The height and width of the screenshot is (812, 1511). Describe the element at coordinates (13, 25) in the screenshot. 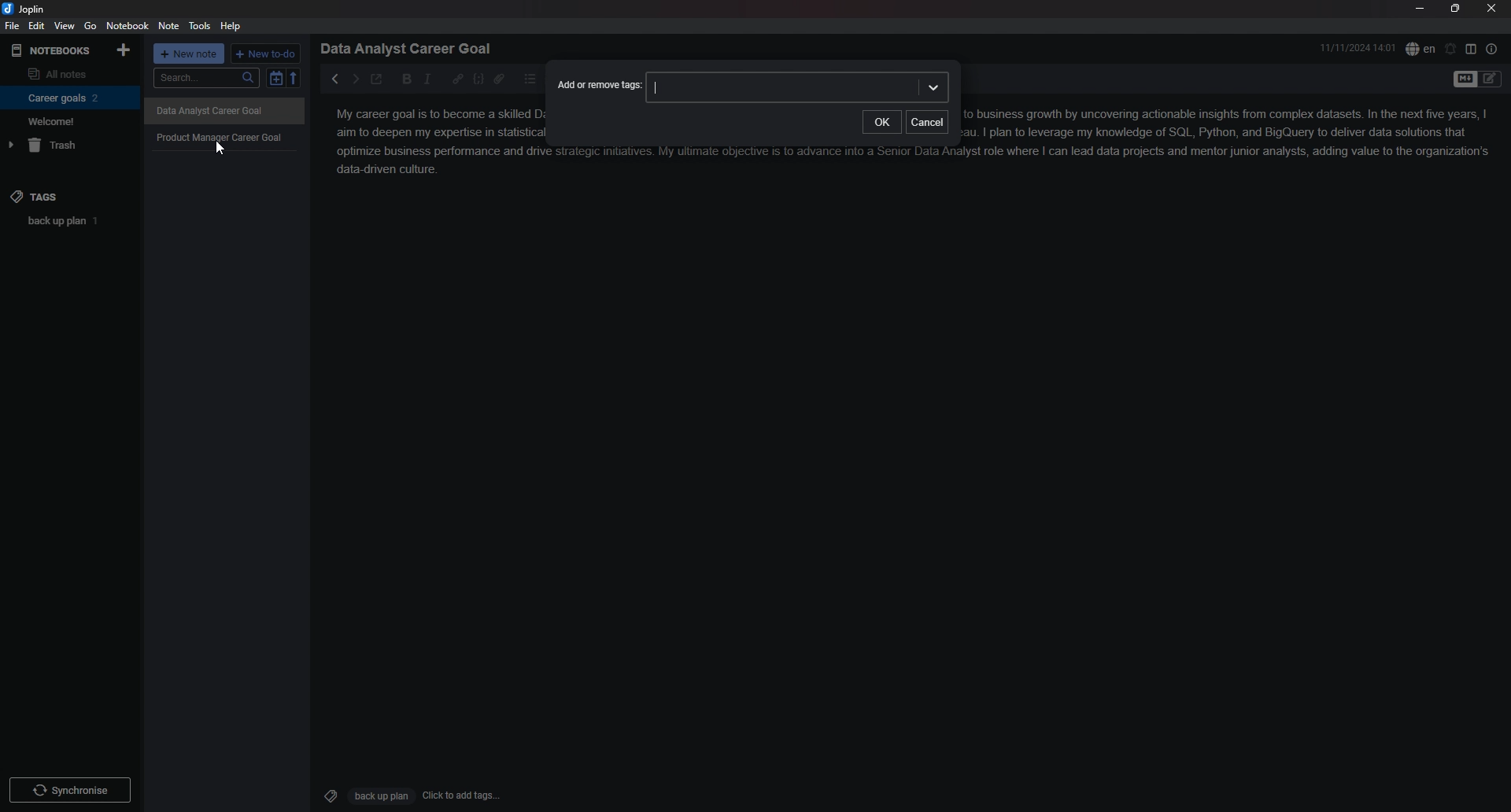

I see `file` at that location.